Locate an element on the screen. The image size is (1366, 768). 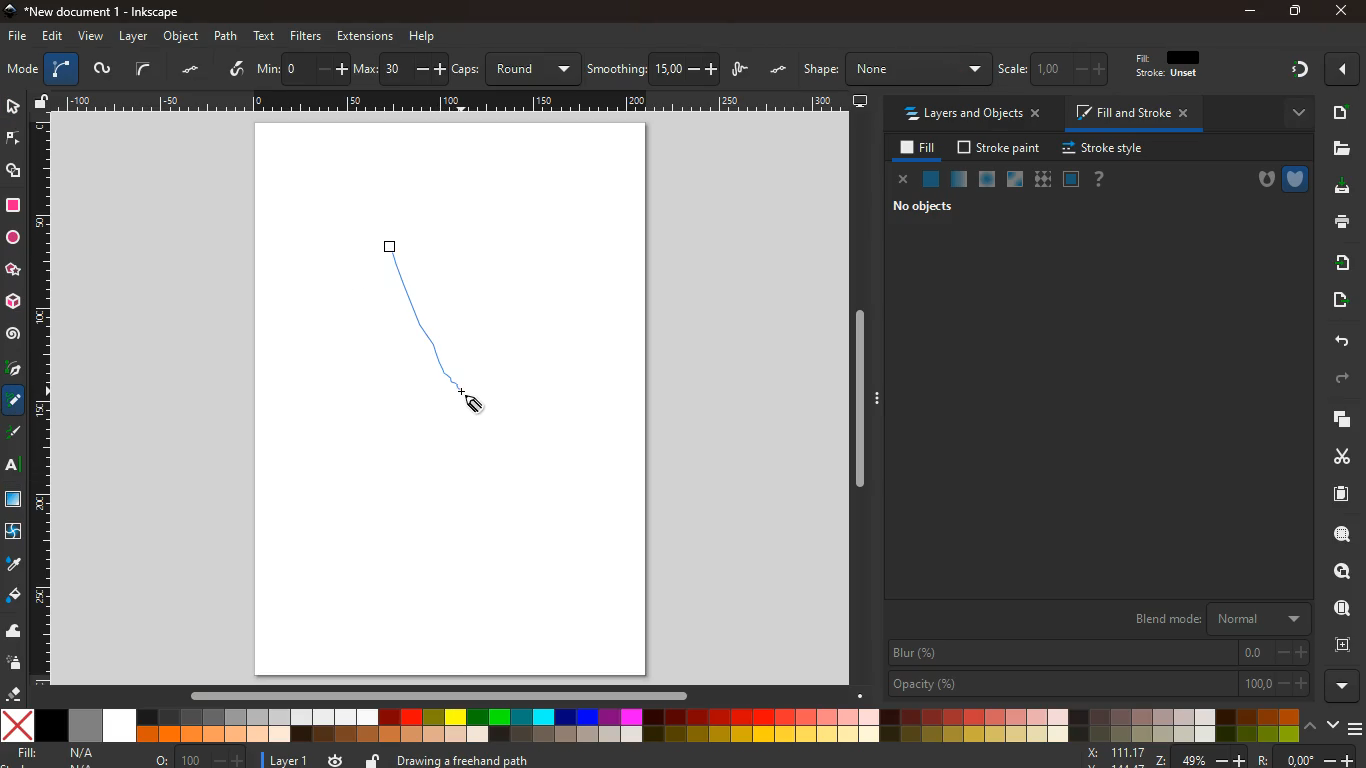
square is located at coordinates (1071, 181).